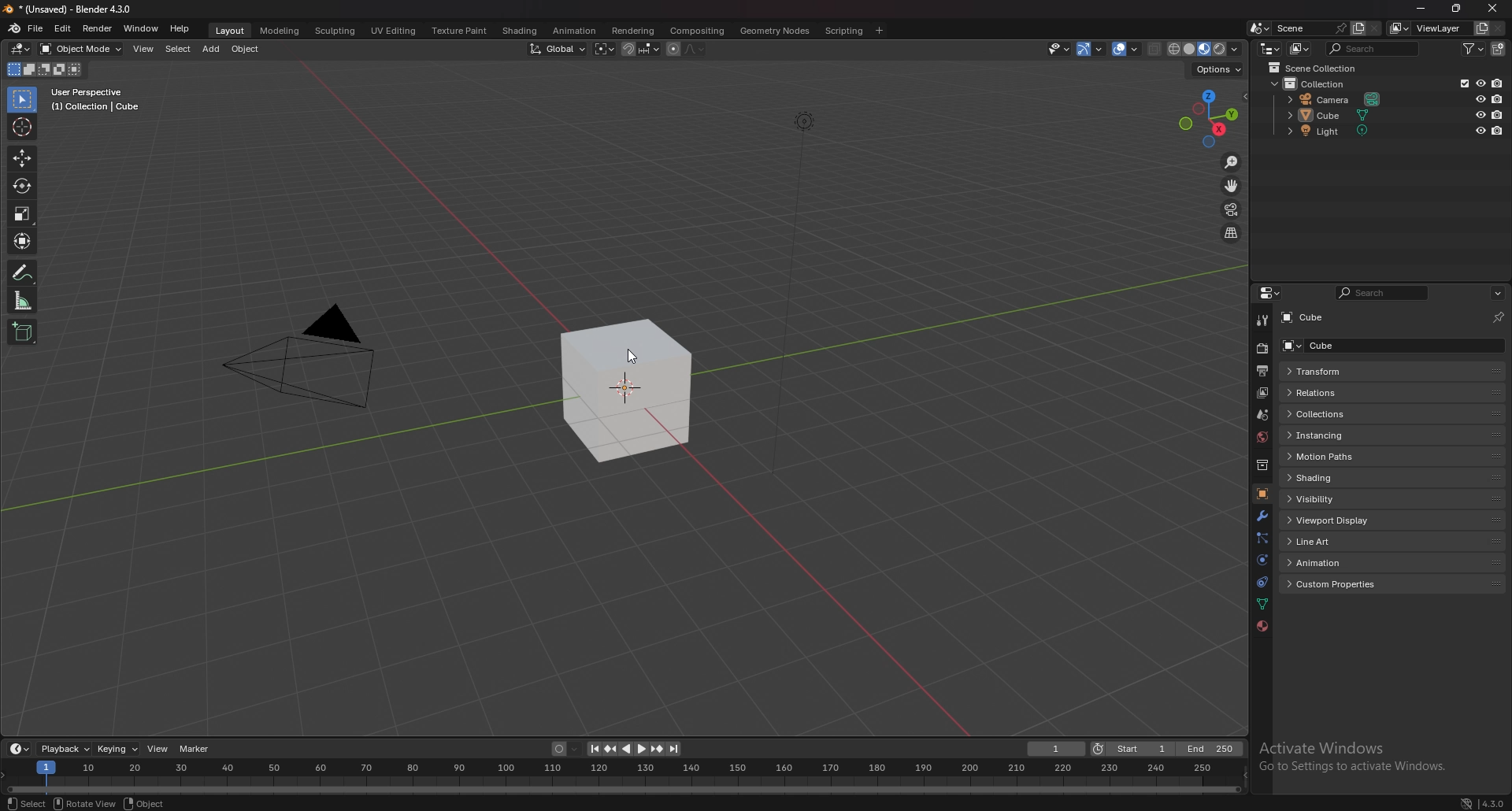  What do you see at coordinates (1373, 29) in the screenshot?
I see `delete scene` at bounding box center [1373, 29].